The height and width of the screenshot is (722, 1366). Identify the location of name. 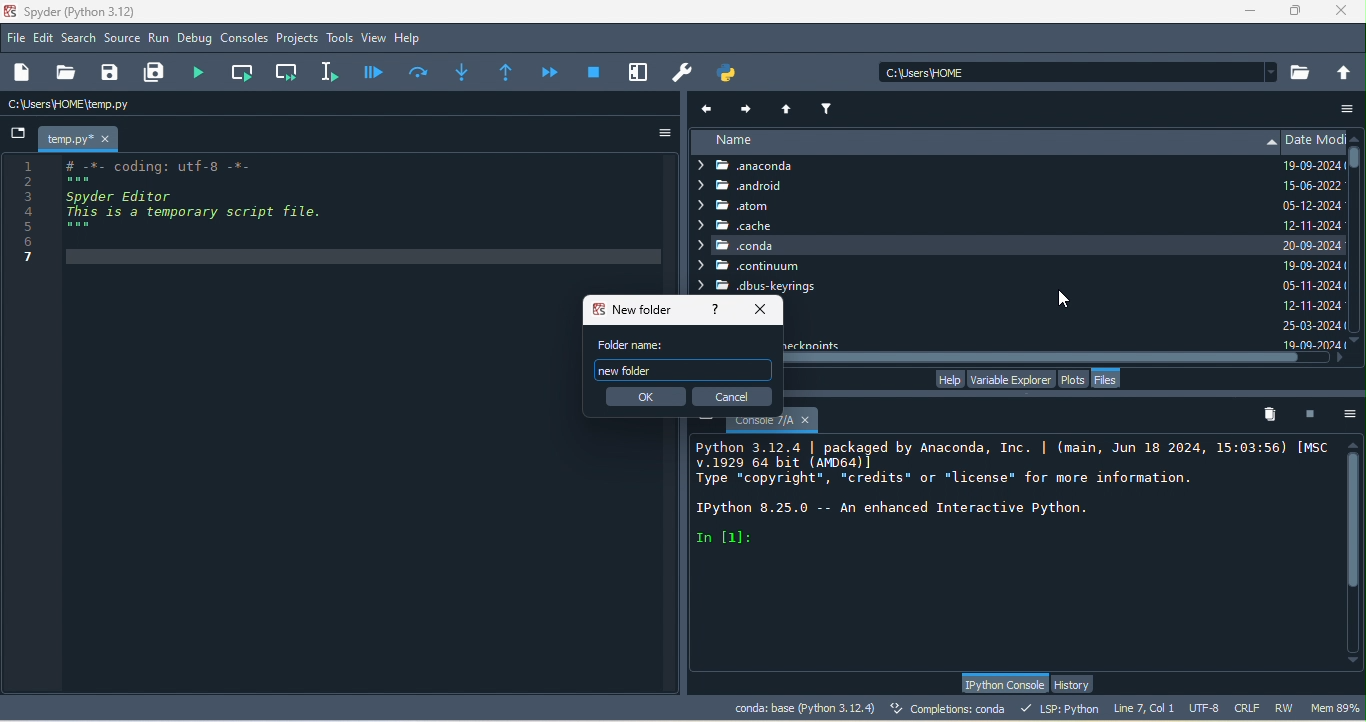
(983, 142).